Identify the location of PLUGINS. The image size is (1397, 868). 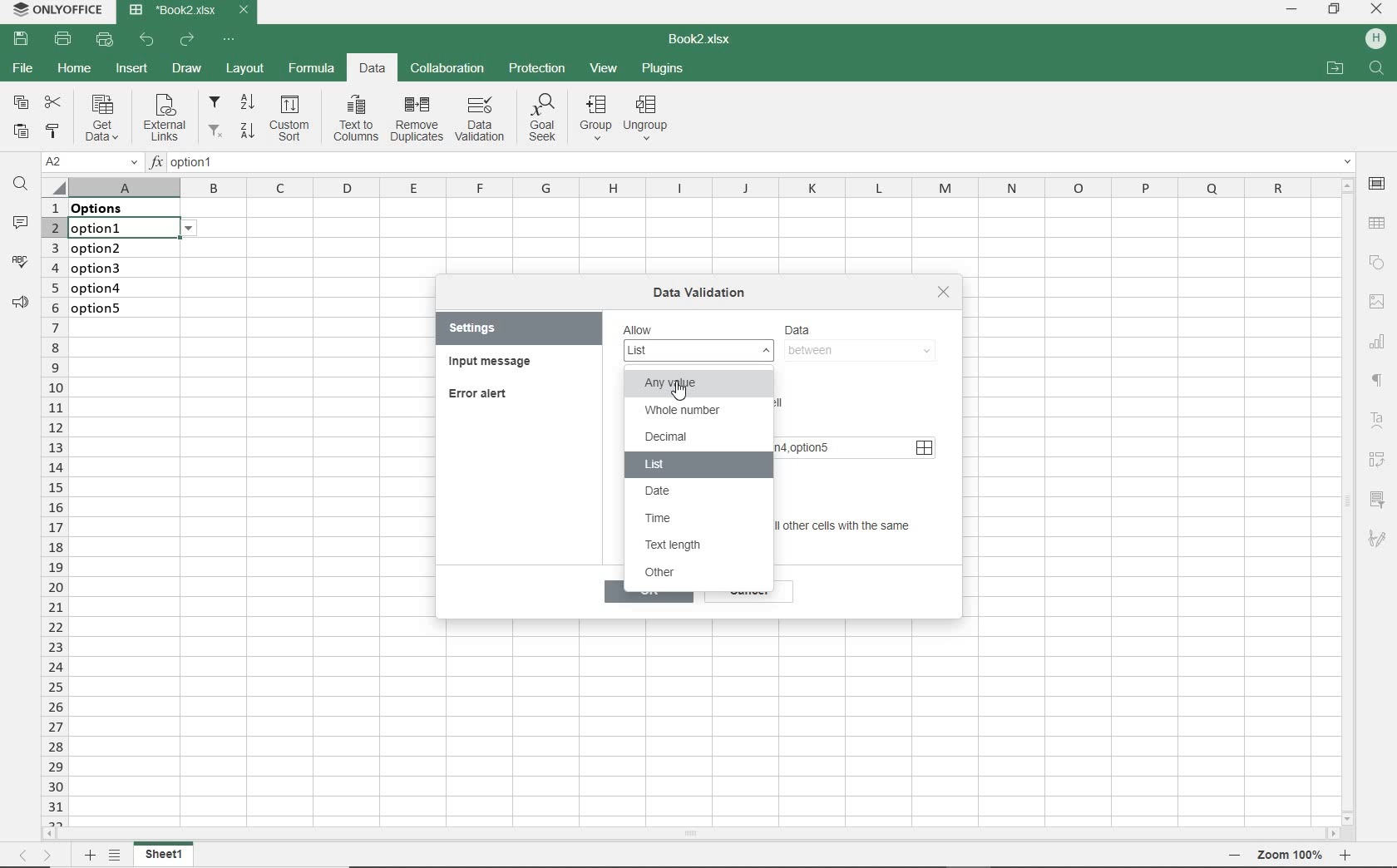
(663, 70).